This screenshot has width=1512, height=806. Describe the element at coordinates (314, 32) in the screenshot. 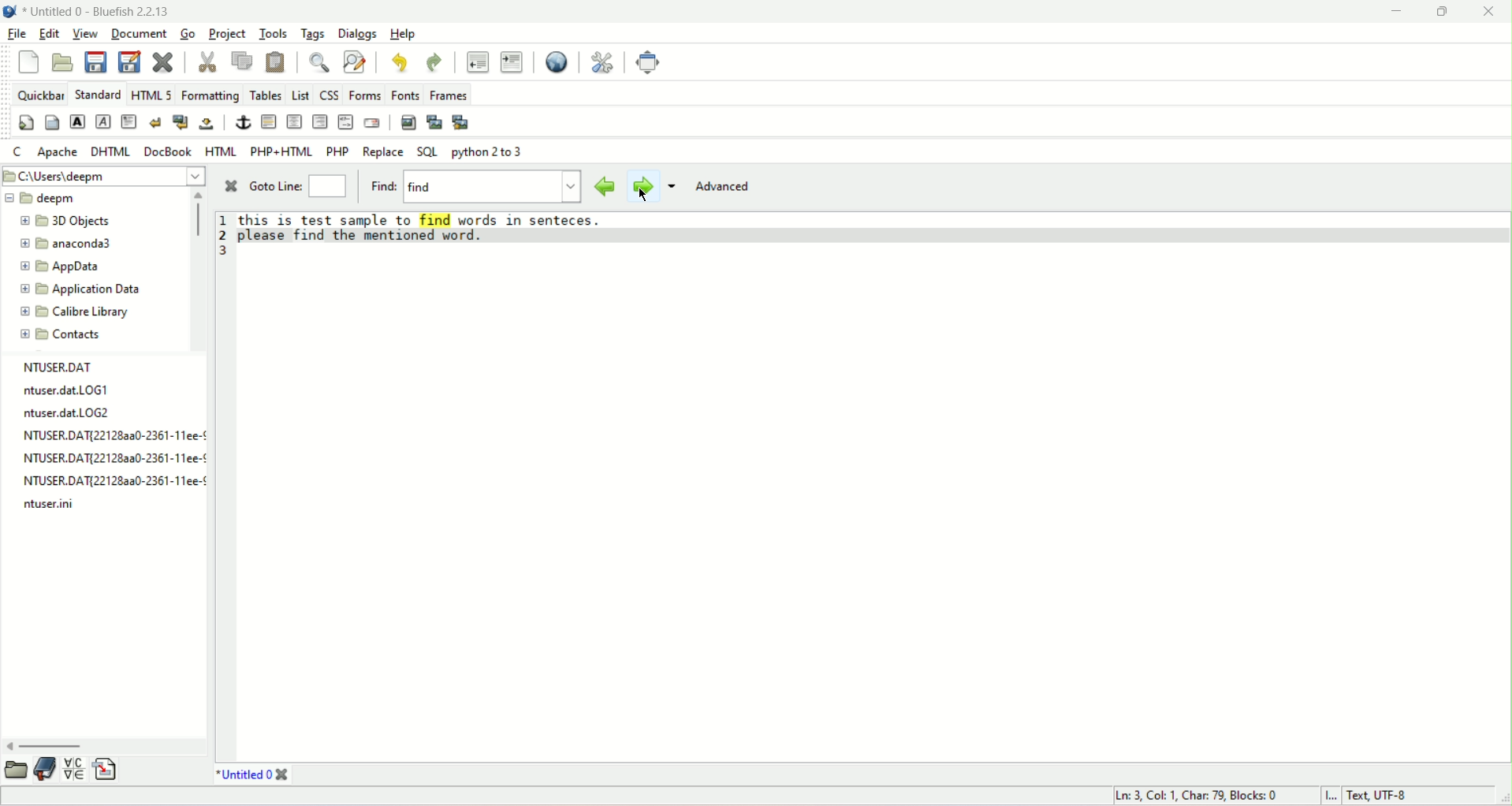

I see `tags` at that location.